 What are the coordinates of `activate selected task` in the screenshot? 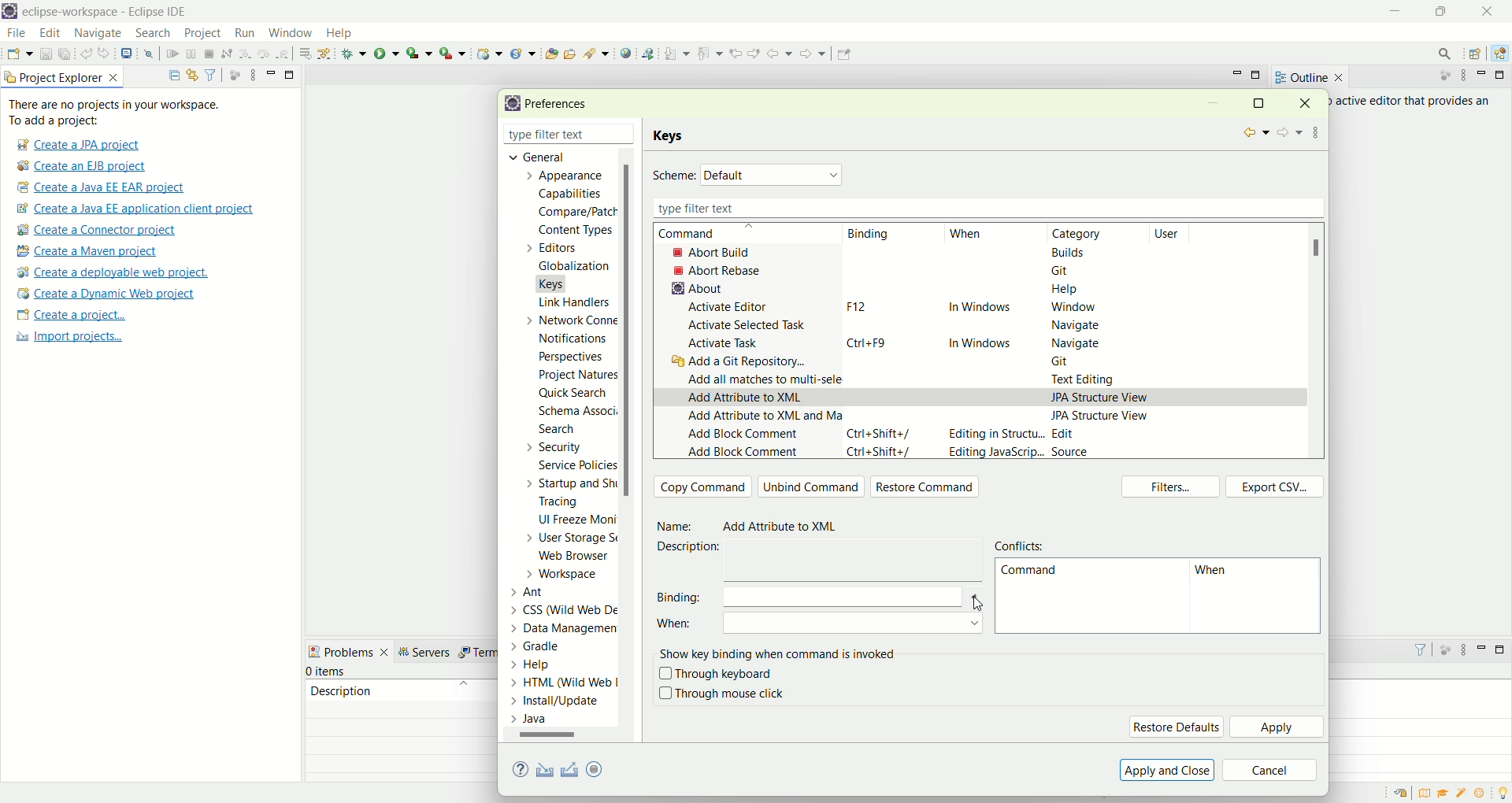 It's located at (748, 324).